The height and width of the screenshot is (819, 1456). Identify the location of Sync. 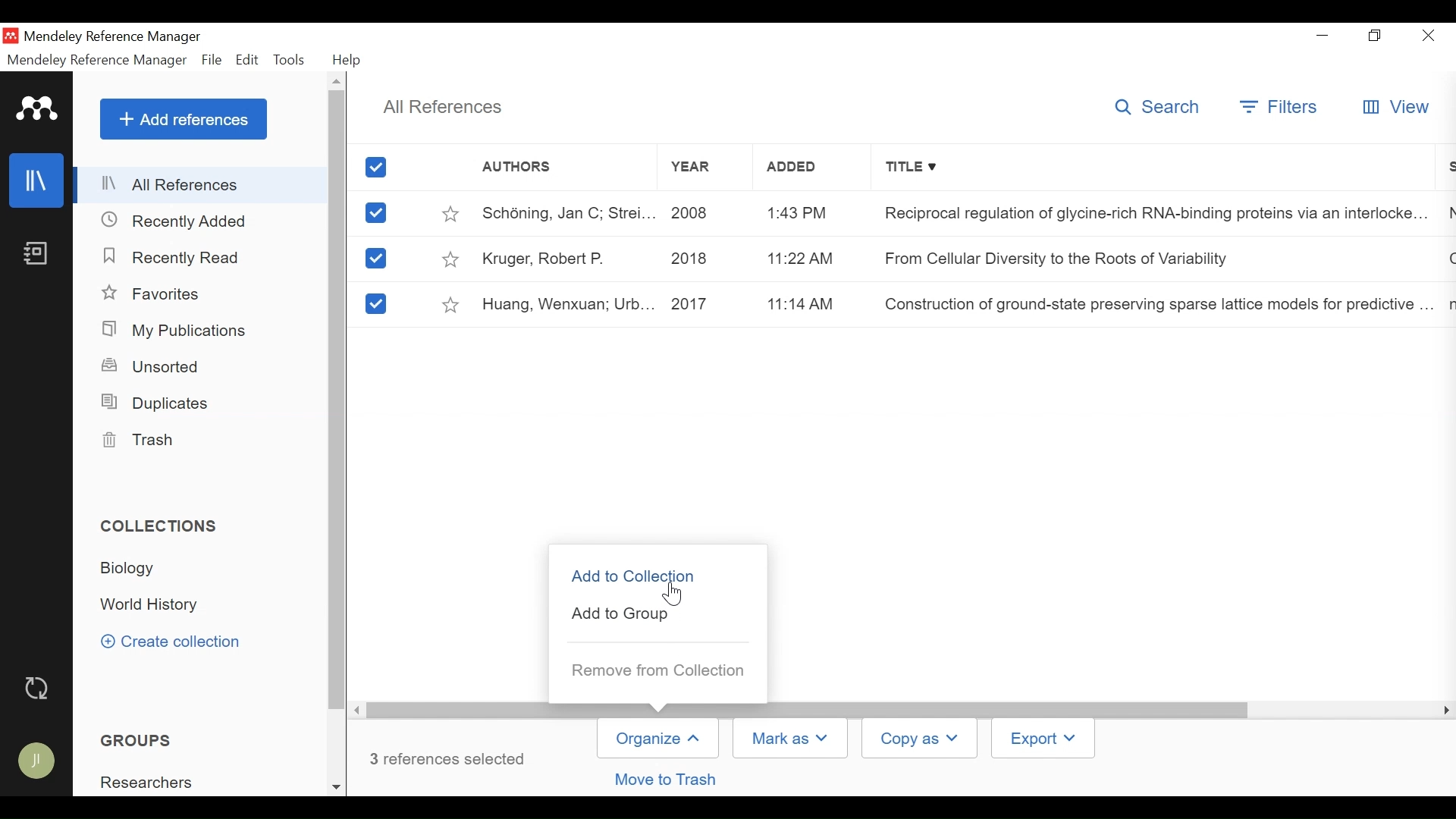
(37, 689).